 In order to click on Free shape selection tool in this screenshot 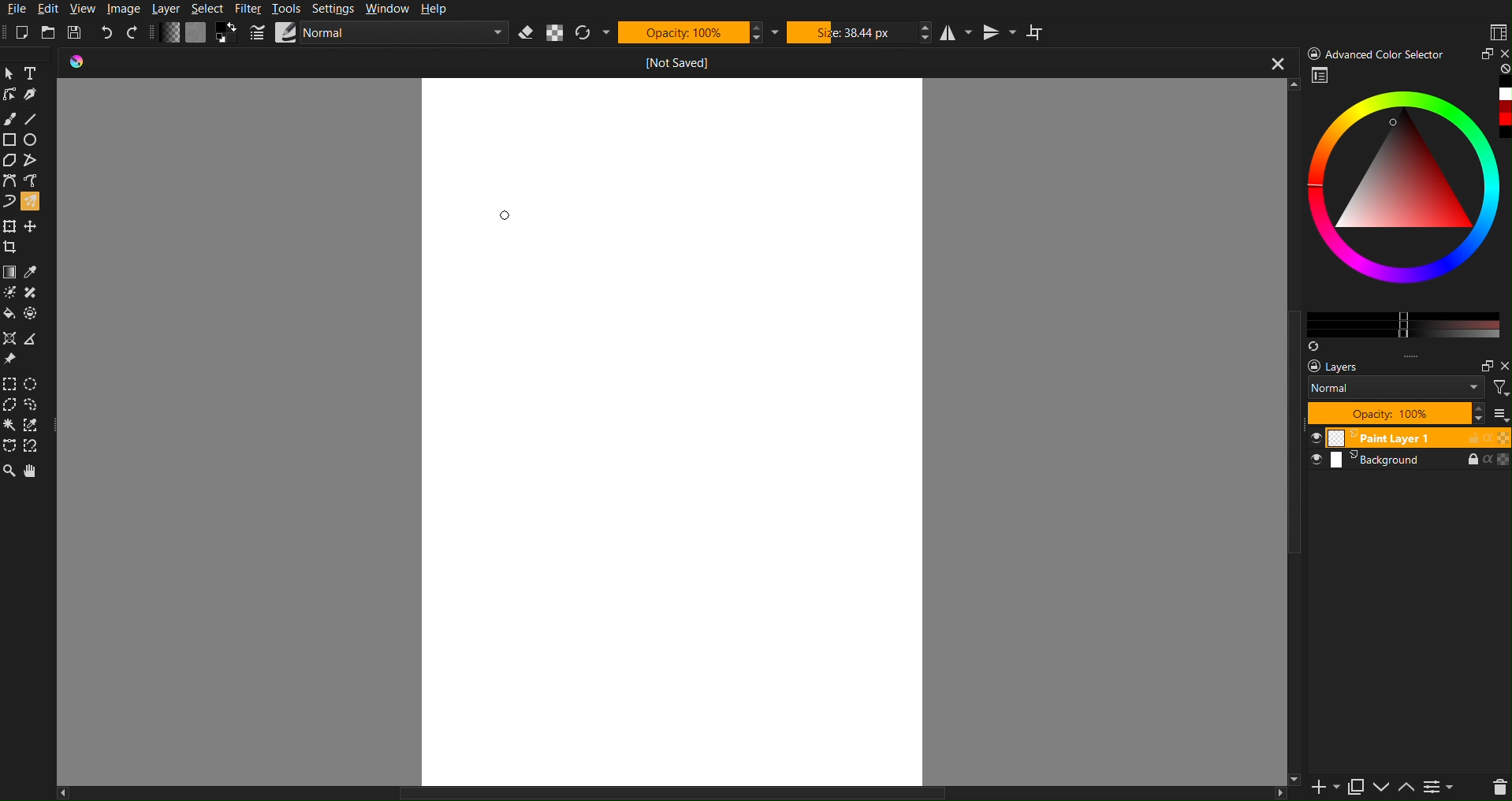, I will do `click(37, 404)`.